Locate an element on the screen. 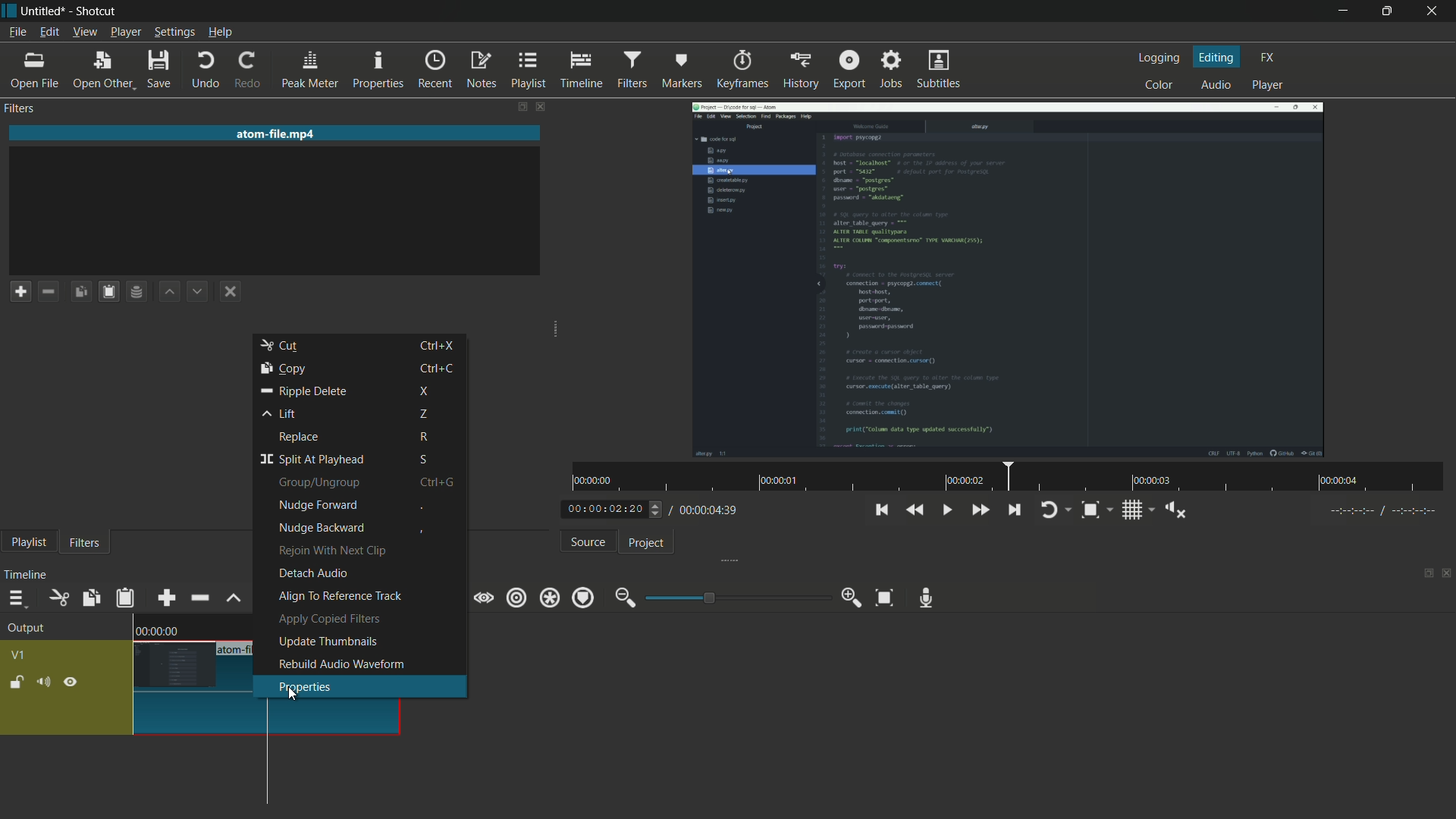 This screenshot has width=1456, height=819. lock is located at coordinates (17, 683).